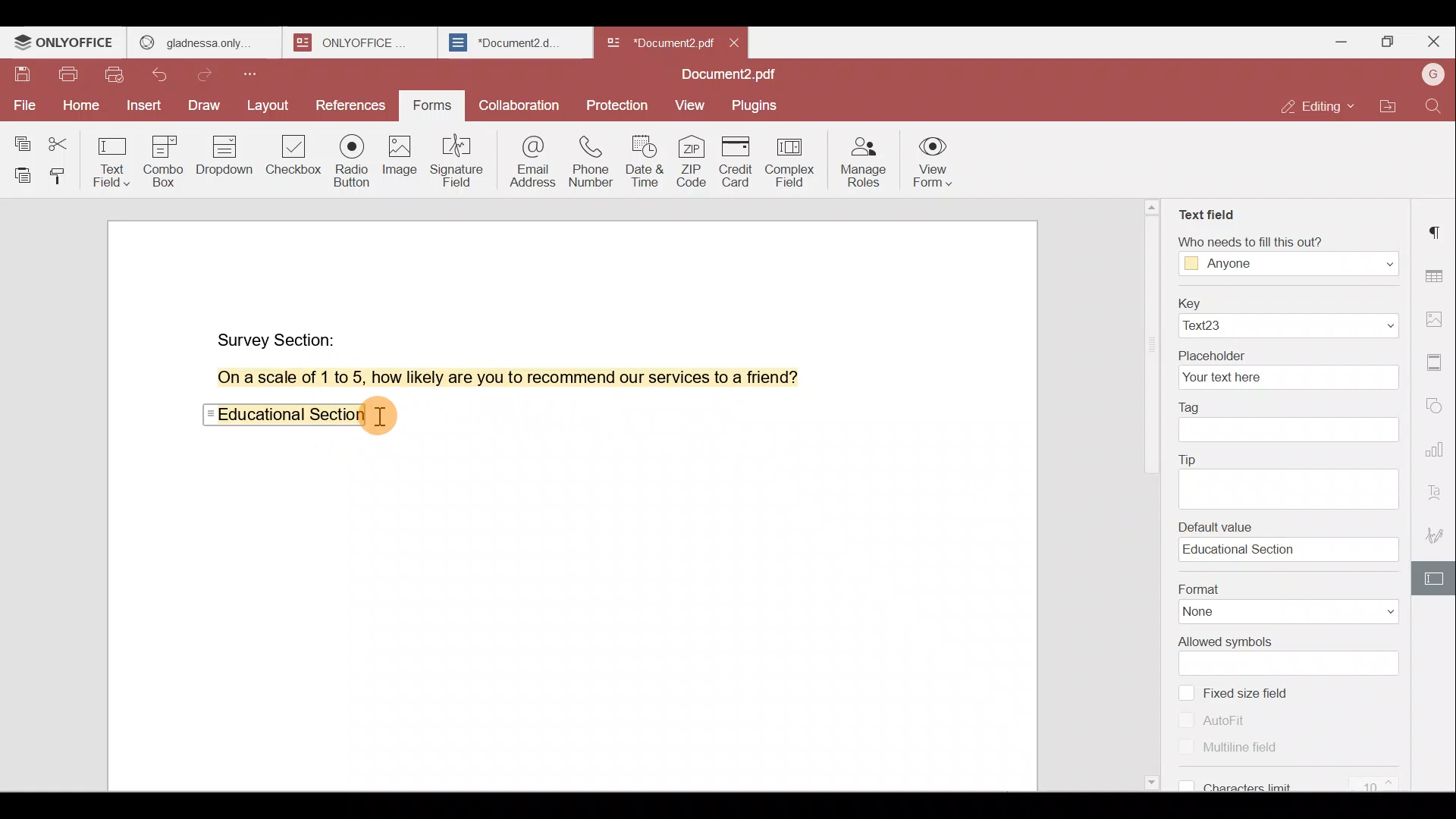 Image resolution: width=1456 pixels, height=819 pixels. I want to click on References, so click(352, 107).